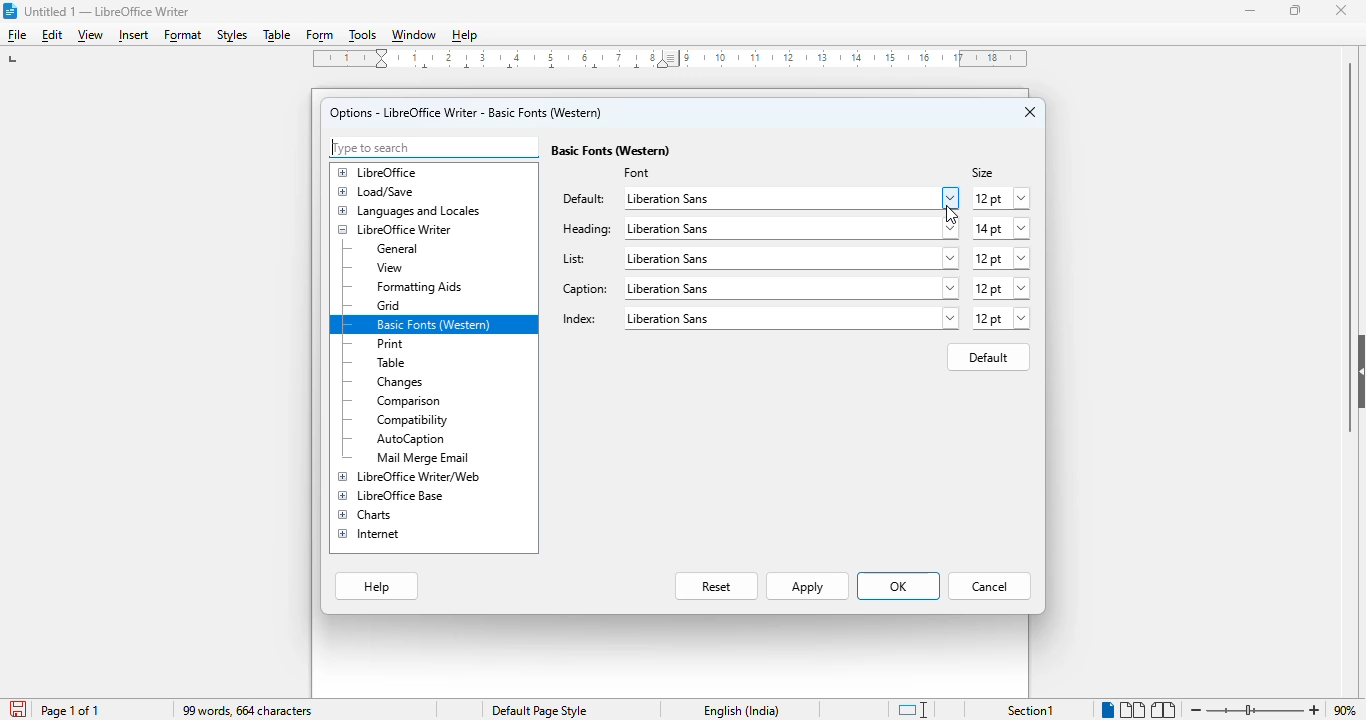  I want to click on reset, so click(718, 586).